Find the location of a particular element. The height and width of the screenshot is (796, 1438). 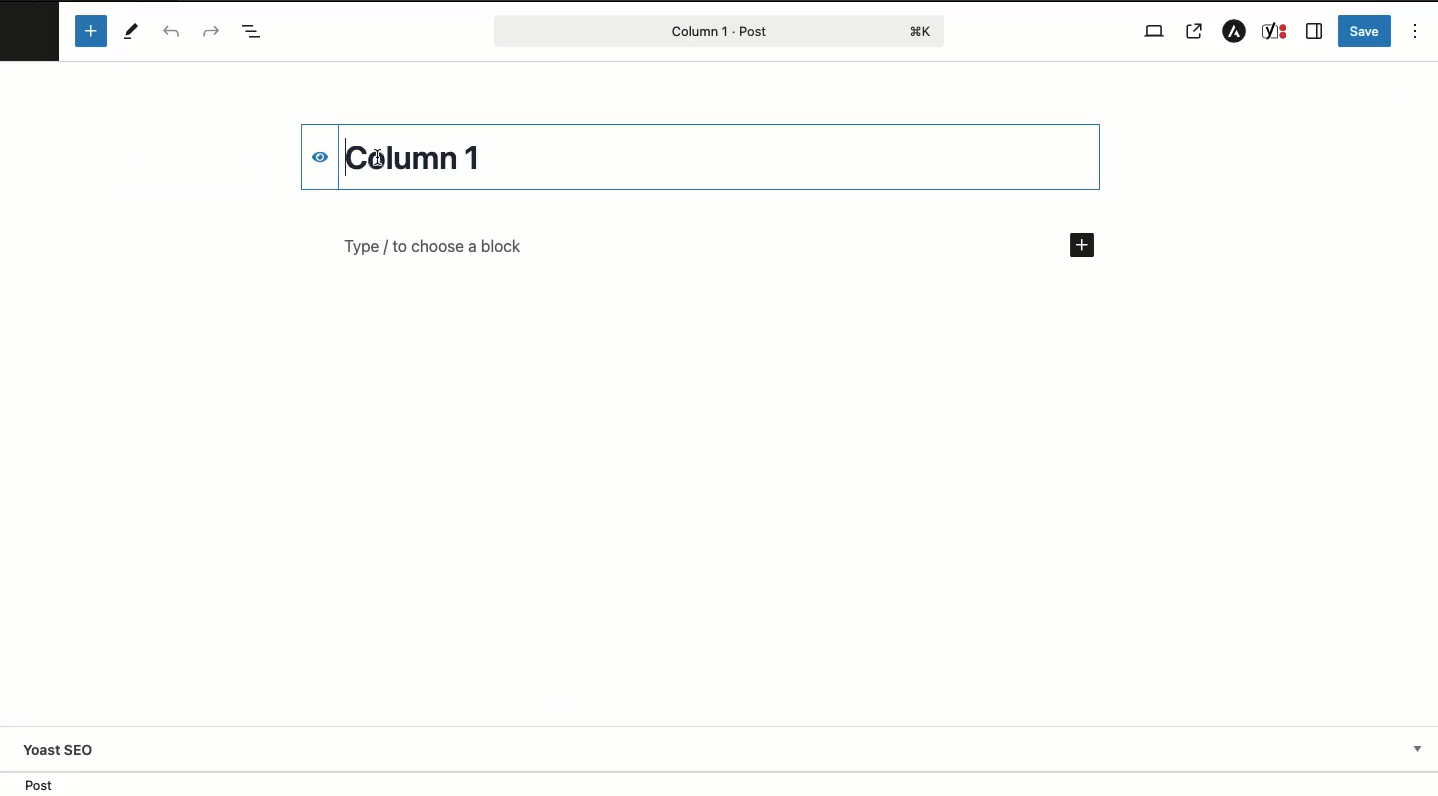

Options is located at coordinates (1416, 30).